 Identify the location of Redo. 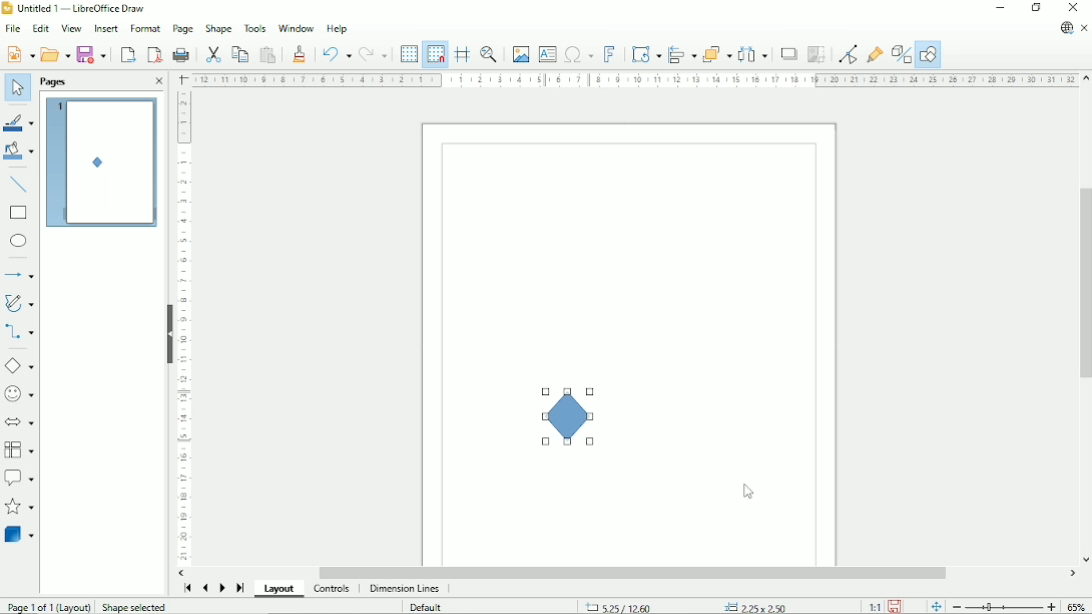
(375, 53).